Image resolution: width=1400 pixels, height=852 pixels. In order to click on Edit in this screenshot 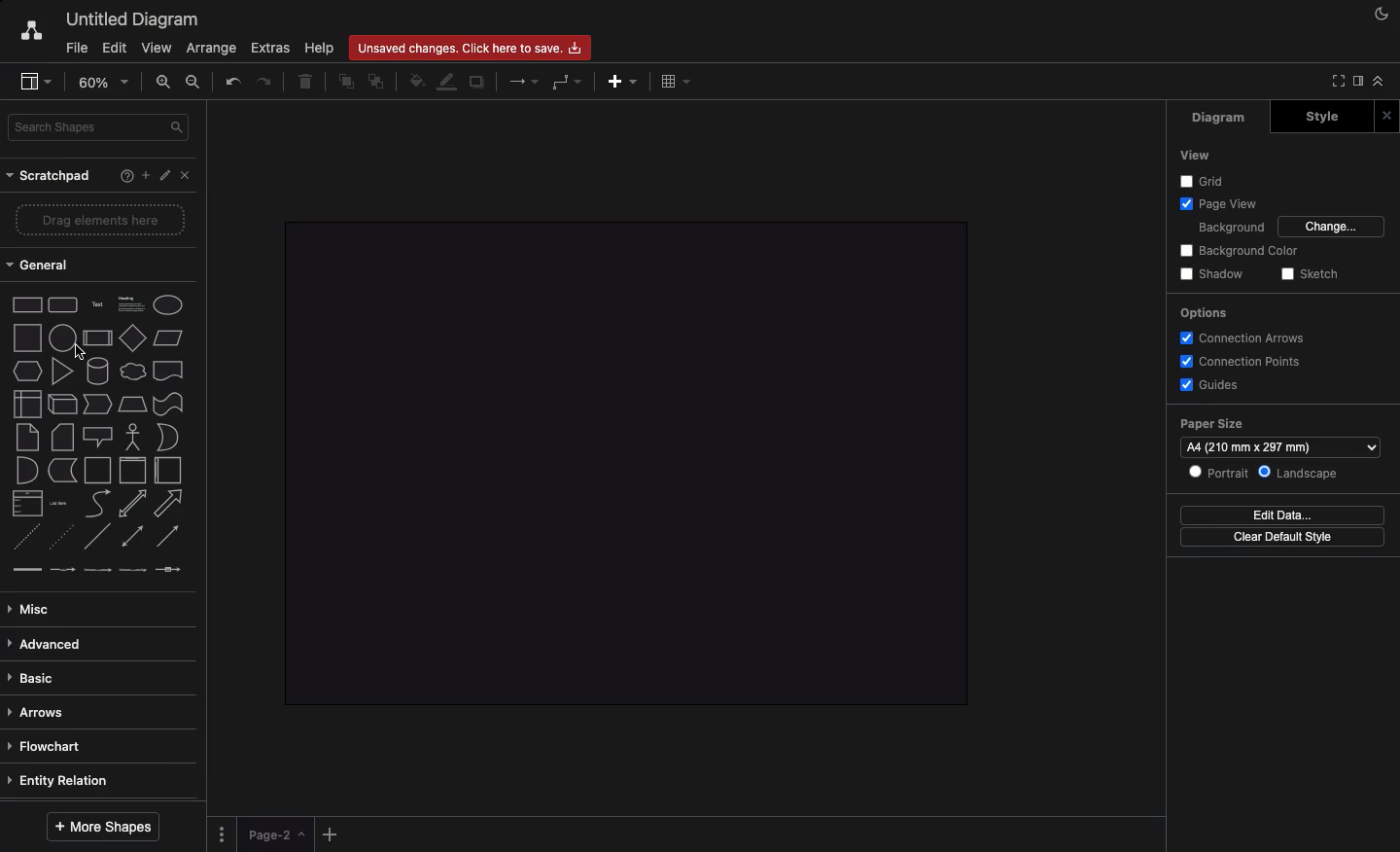, I will do `click(164, 176)`.